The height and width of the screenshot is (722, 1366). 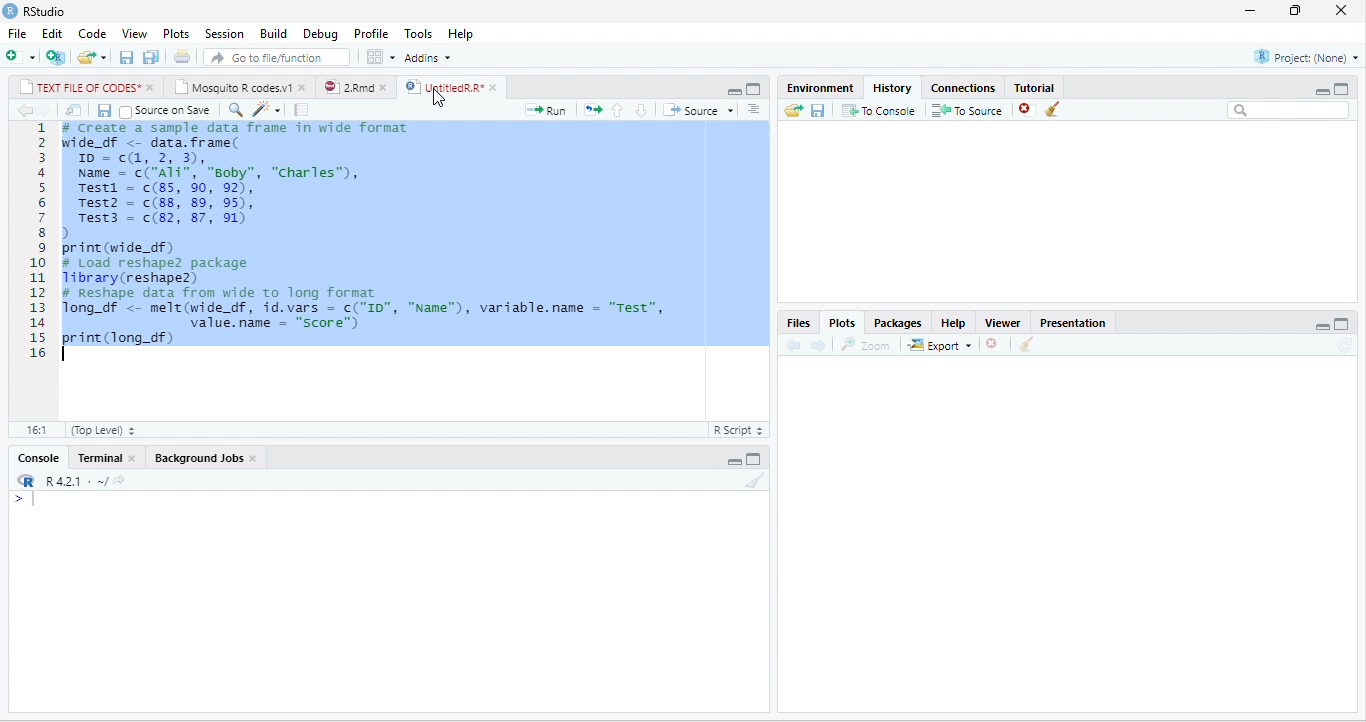 I want to click on Files, so click(x=798, y=322).